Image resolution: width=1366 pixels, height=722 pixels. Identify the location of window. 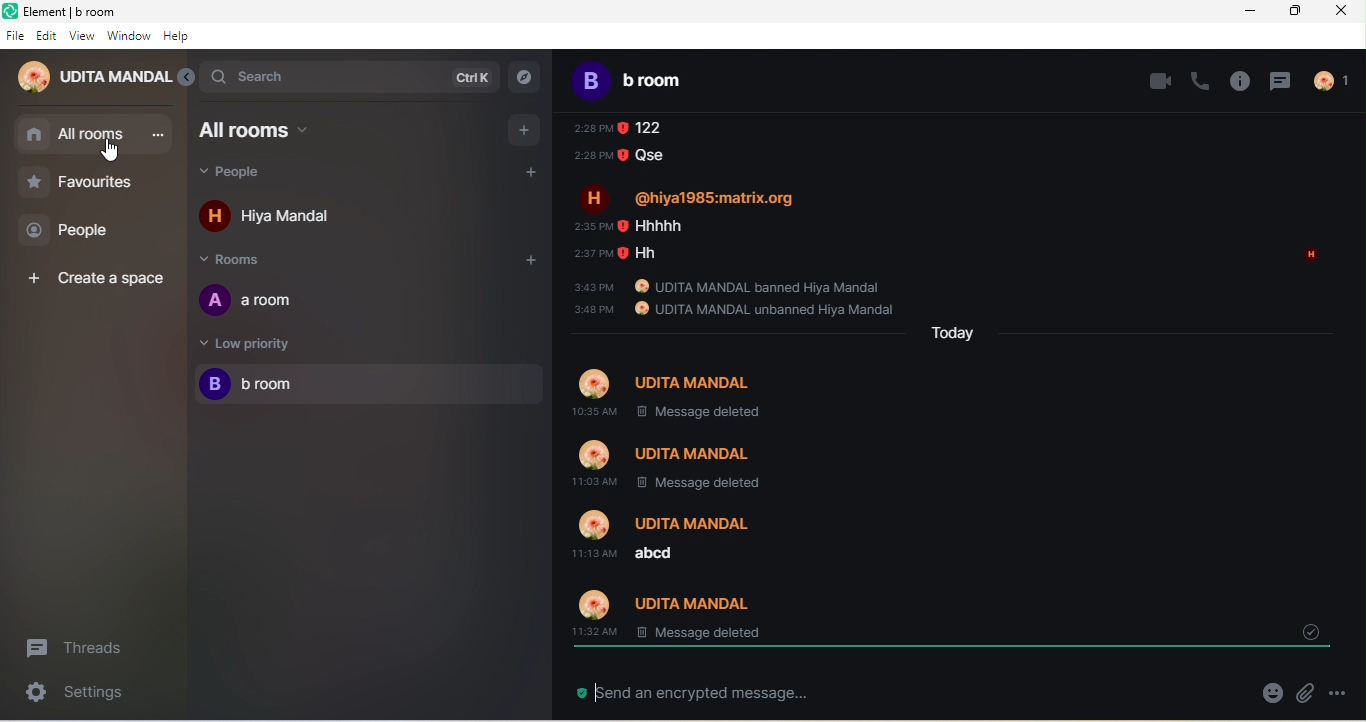
(129, 37).